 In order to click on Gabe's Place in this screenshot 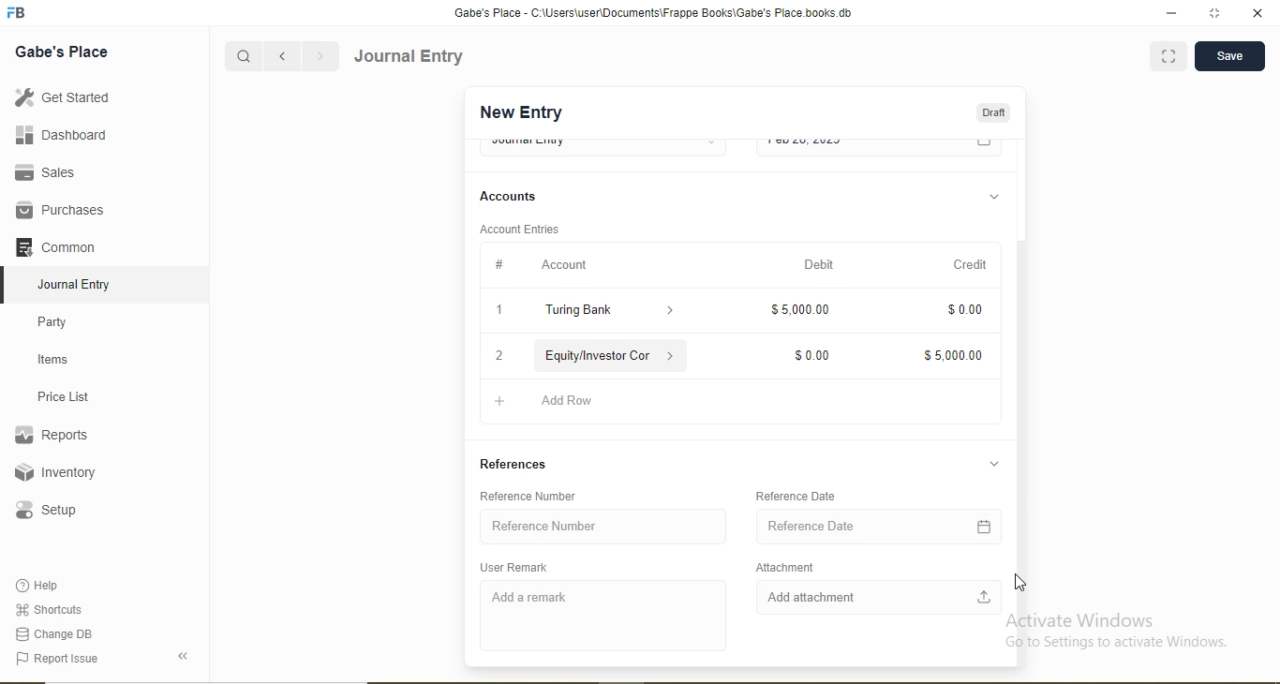, I will do `click(62, 52)`.